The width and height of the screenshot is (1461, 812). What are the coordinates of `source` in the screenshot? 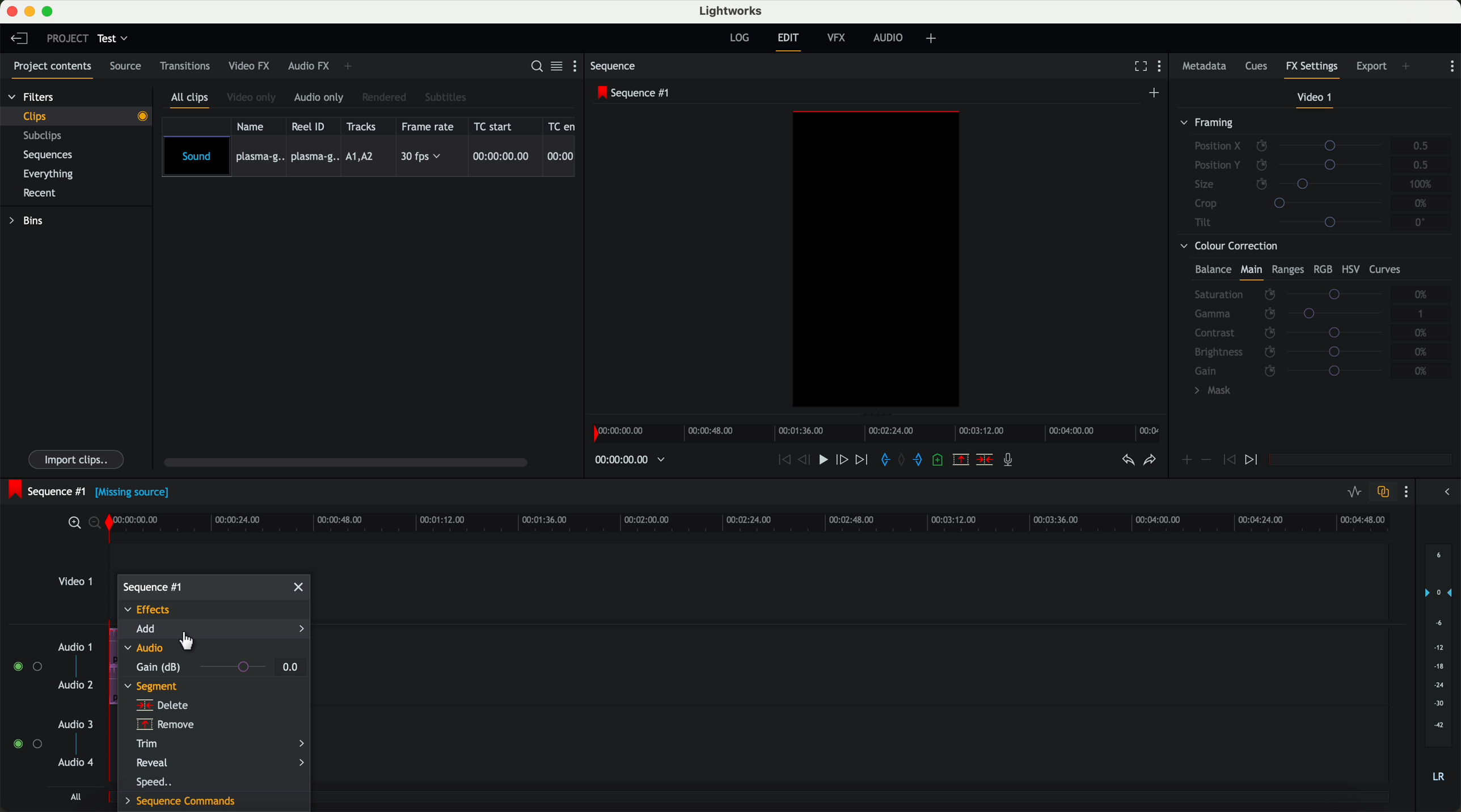 It's located at (129, 67).